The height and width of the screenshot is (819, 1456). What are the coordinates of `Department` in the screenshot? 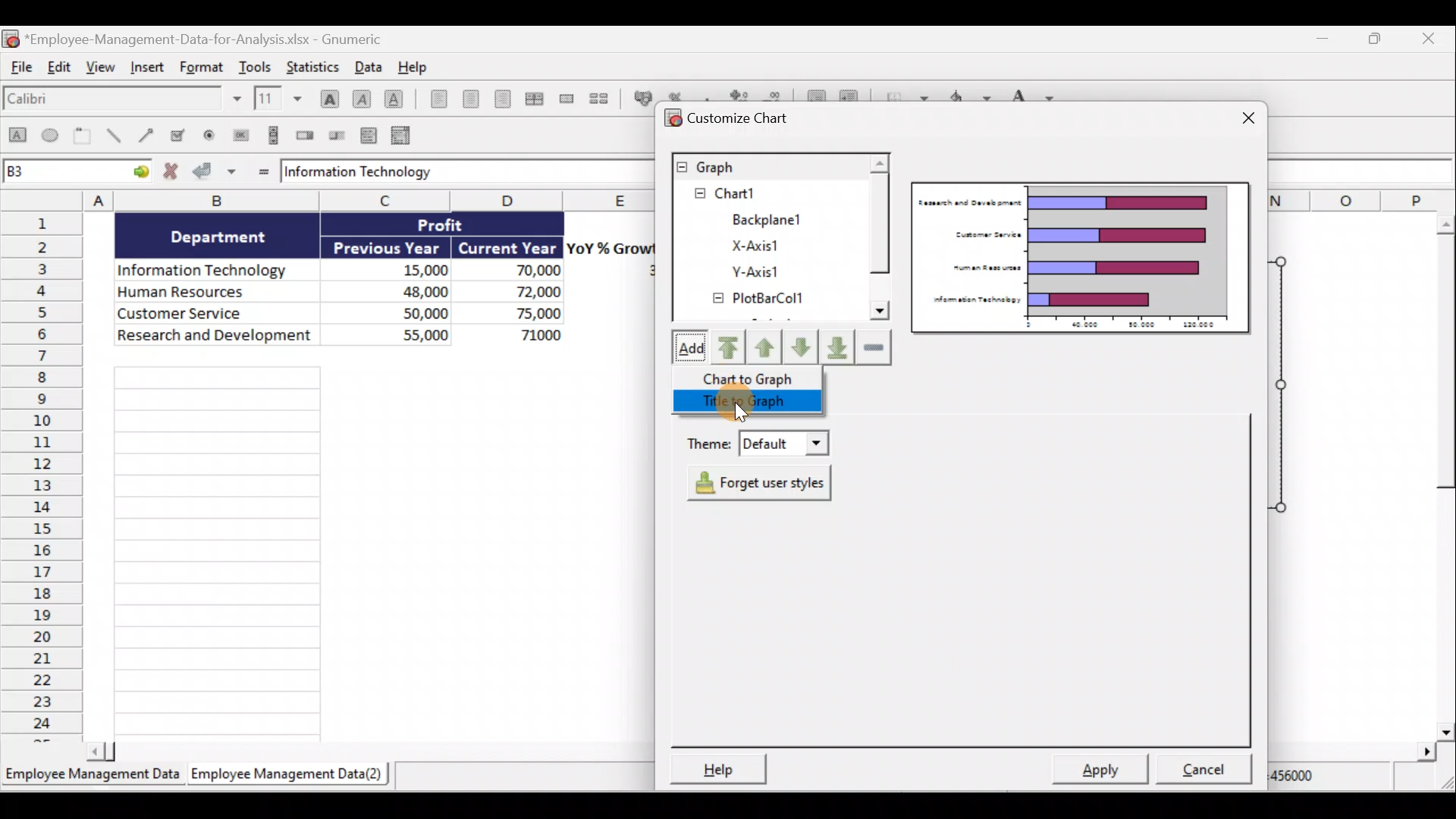 It's located at (228, 237).